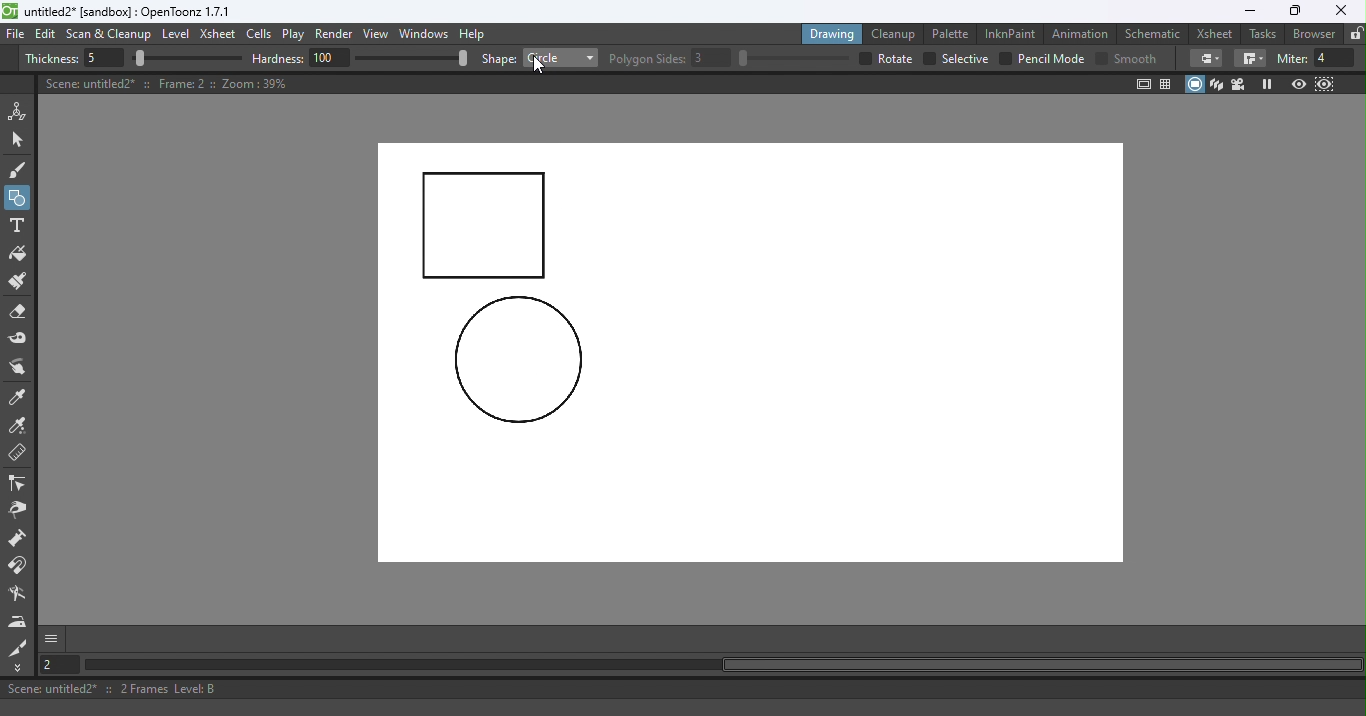  Describe the element at coordinates (57, 664) in the screenshot. I see `Set the current frame` at that location.